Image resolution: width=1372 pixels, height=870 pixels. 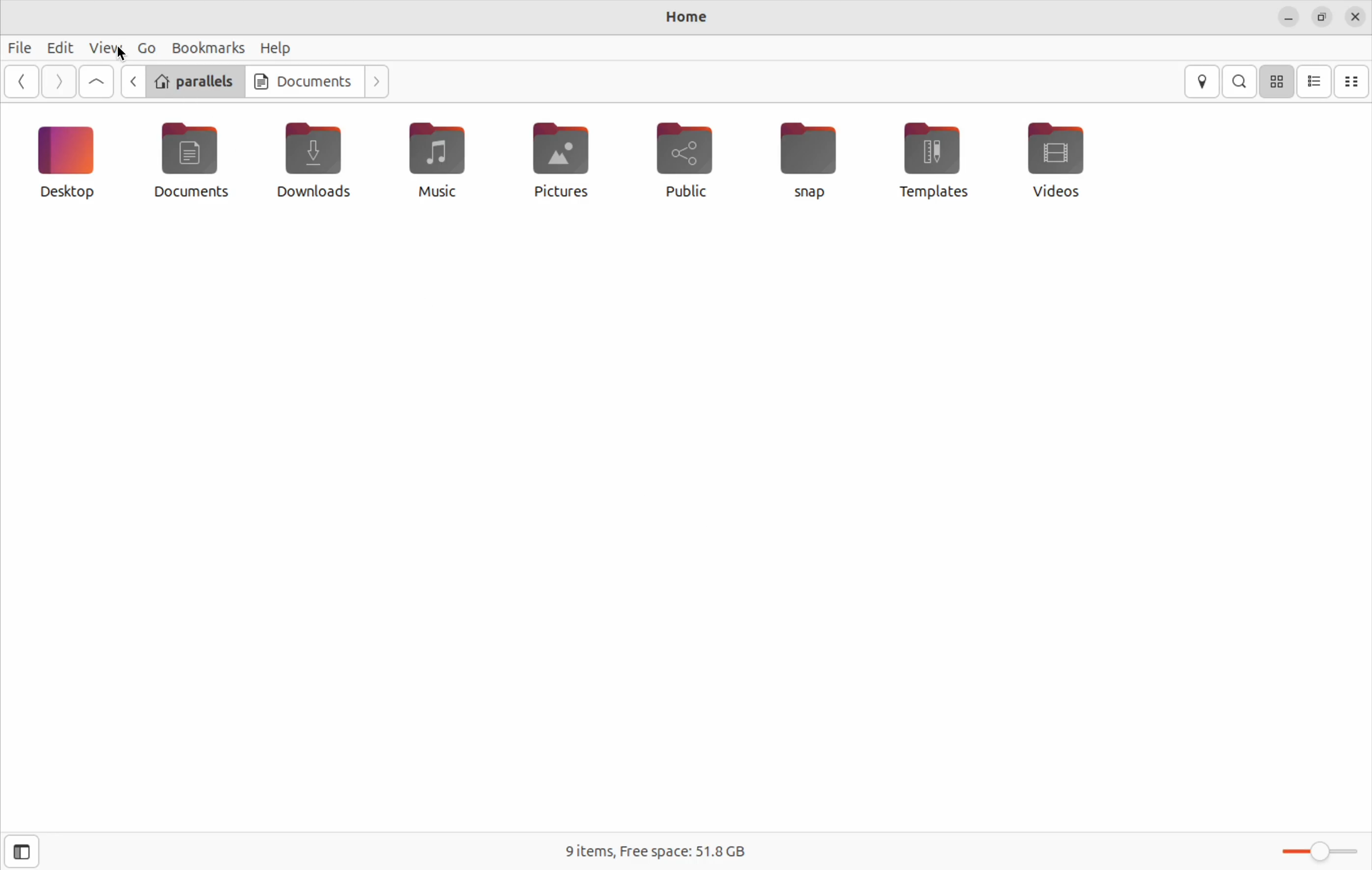 I want to click on go back, so click(x=132, y=81).